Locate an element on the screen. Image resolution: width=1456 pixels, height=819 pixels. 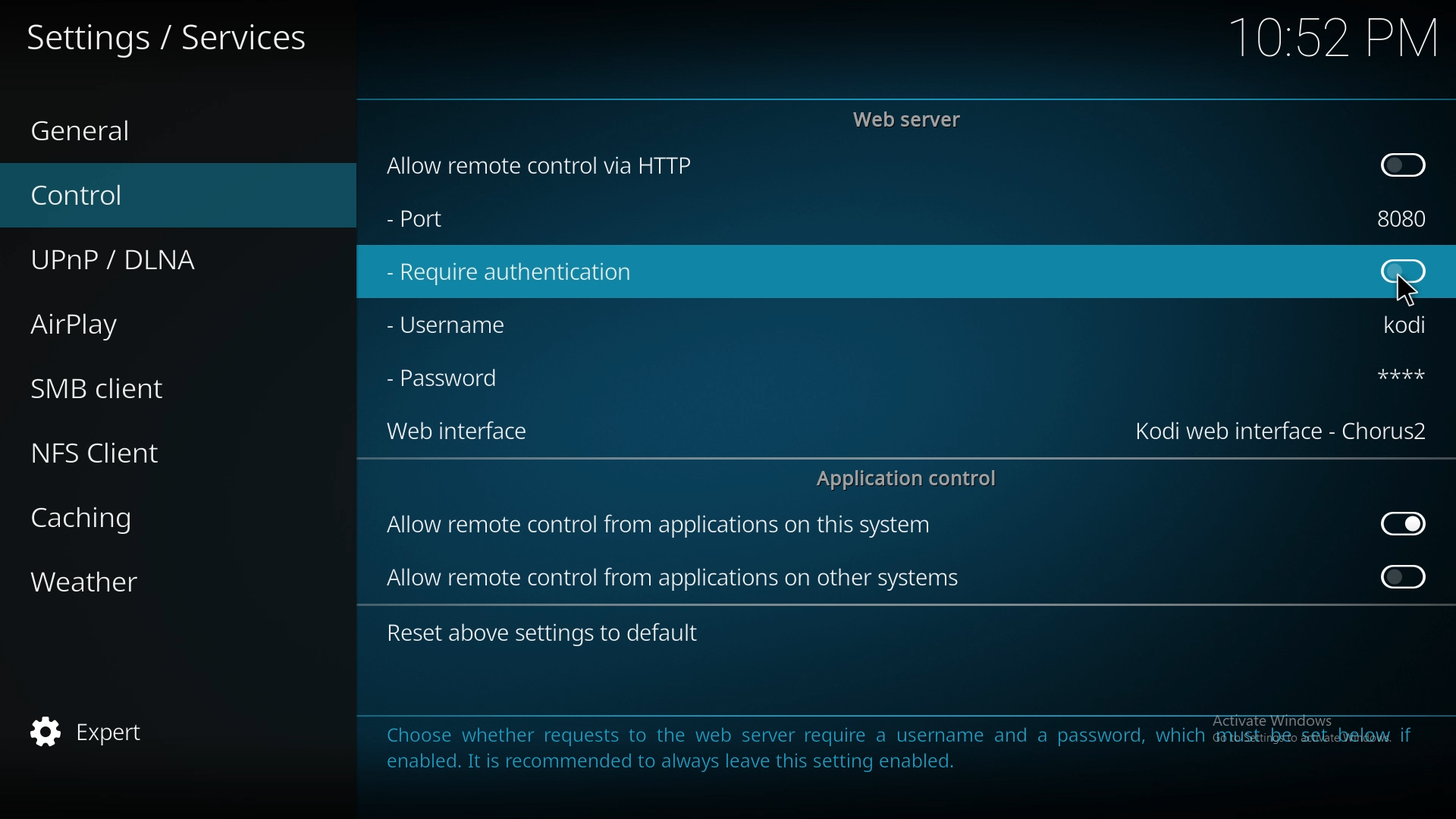
toggle is located at coordinates (1401, 165).